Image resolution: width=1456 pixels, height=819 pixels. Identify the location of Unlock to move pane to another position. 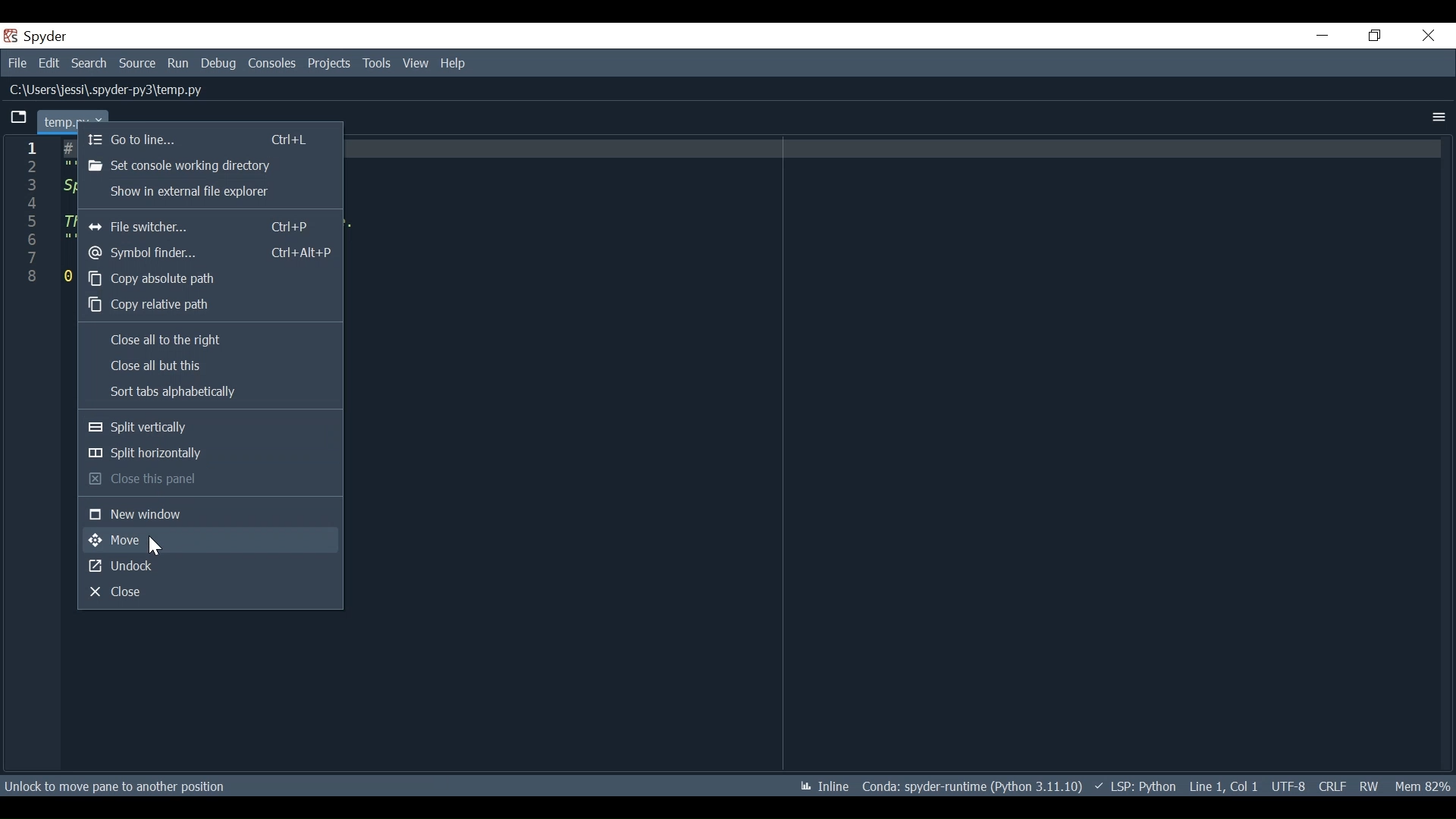
(127, 786).